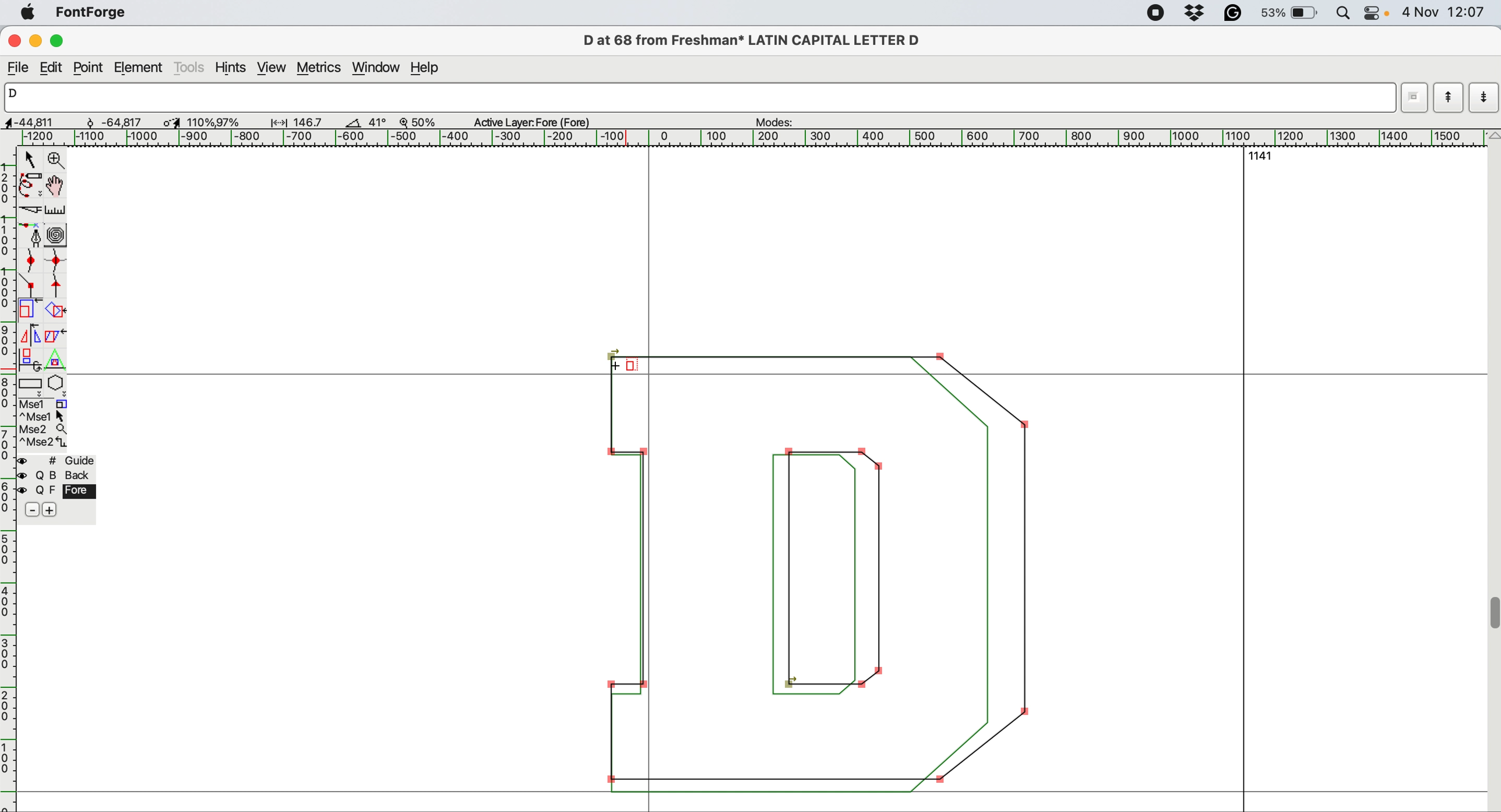  Describe the element at coordinates (1375, 13) in the screenshot. I see `control center` at that location.